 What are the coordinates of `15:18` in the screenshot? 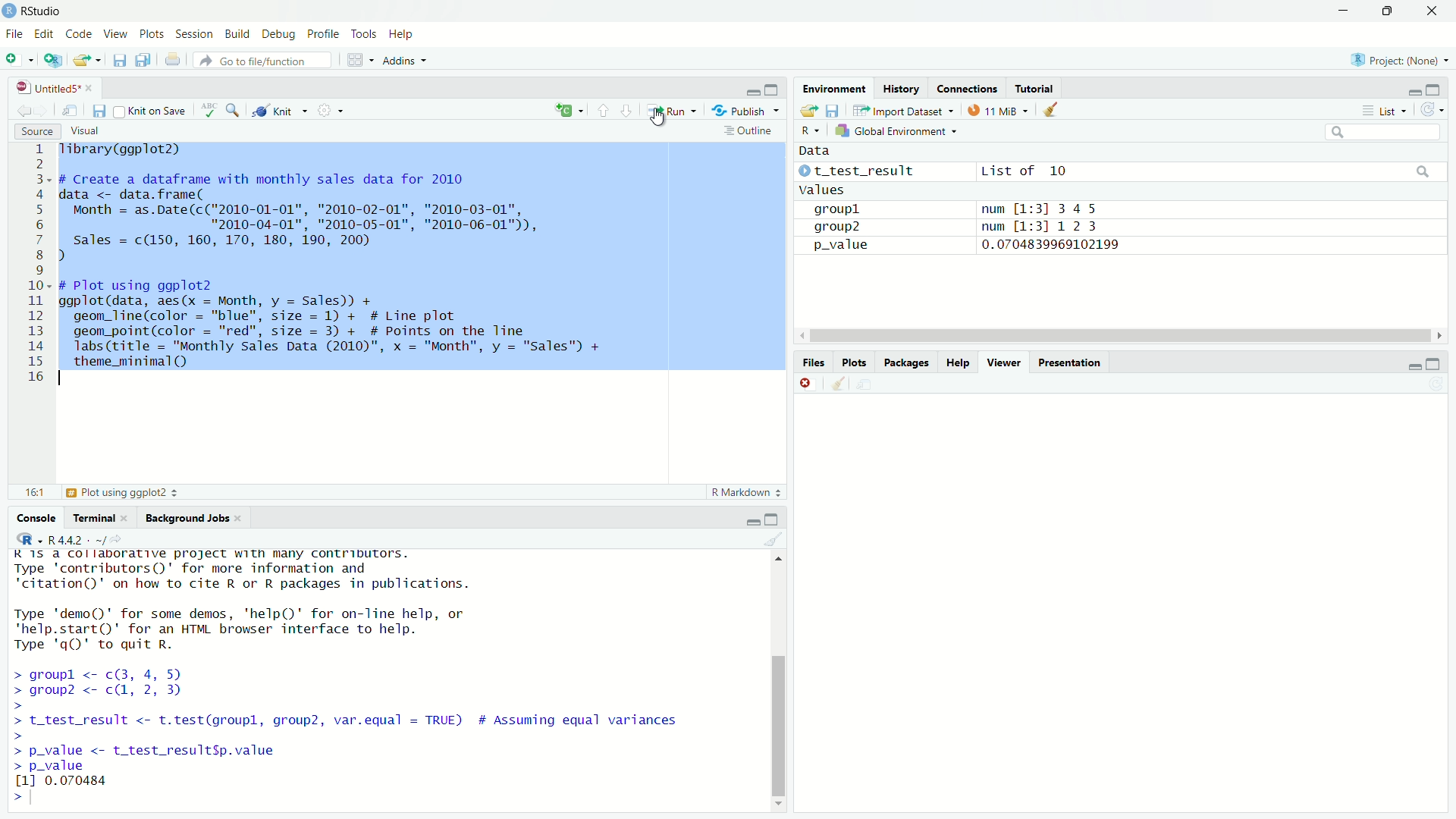 It's located at (34, 493).